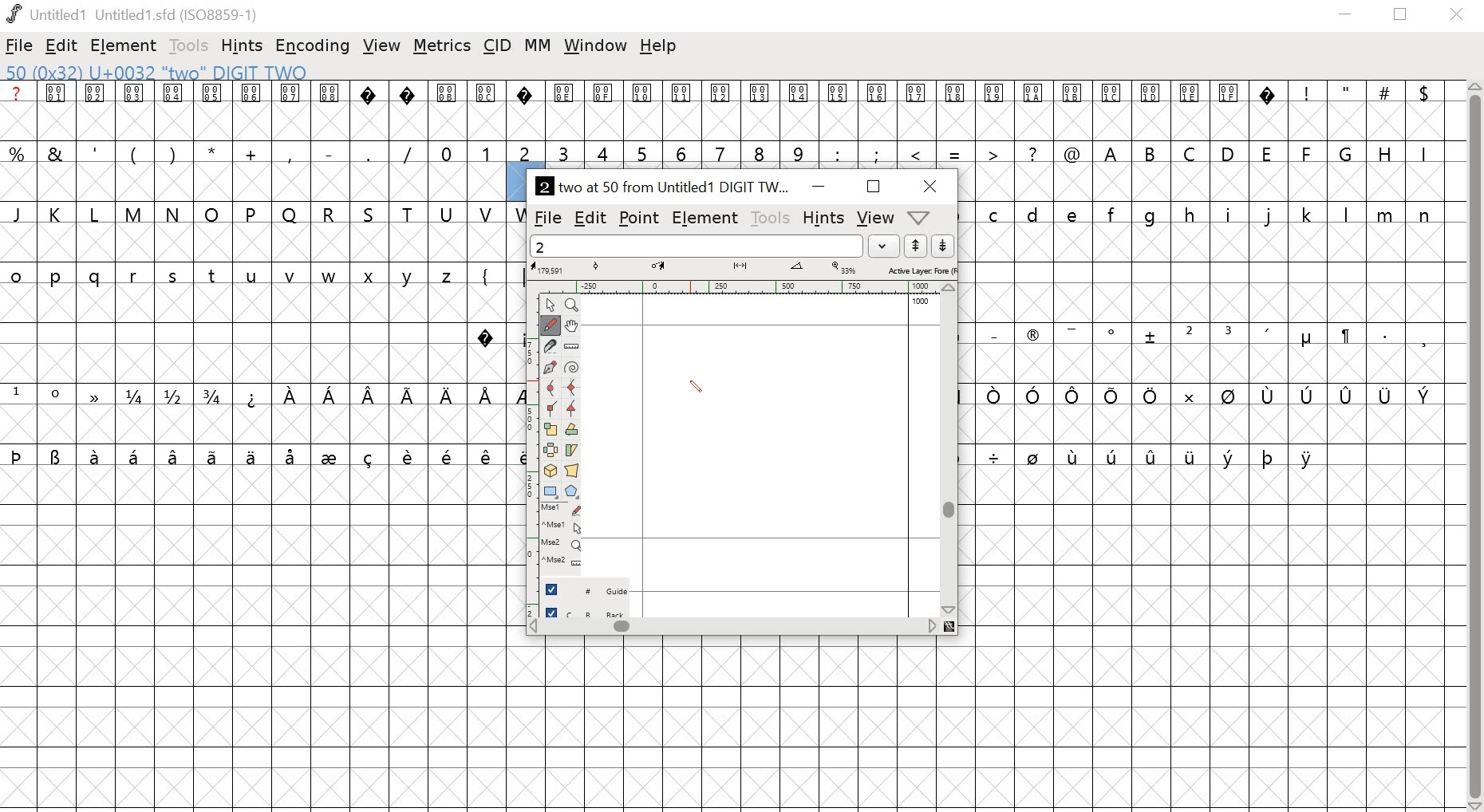 The image size is (1484, 812). Describe the element at coordinates (551, 472) in the screenshot. I see `3D rotate` at that location.